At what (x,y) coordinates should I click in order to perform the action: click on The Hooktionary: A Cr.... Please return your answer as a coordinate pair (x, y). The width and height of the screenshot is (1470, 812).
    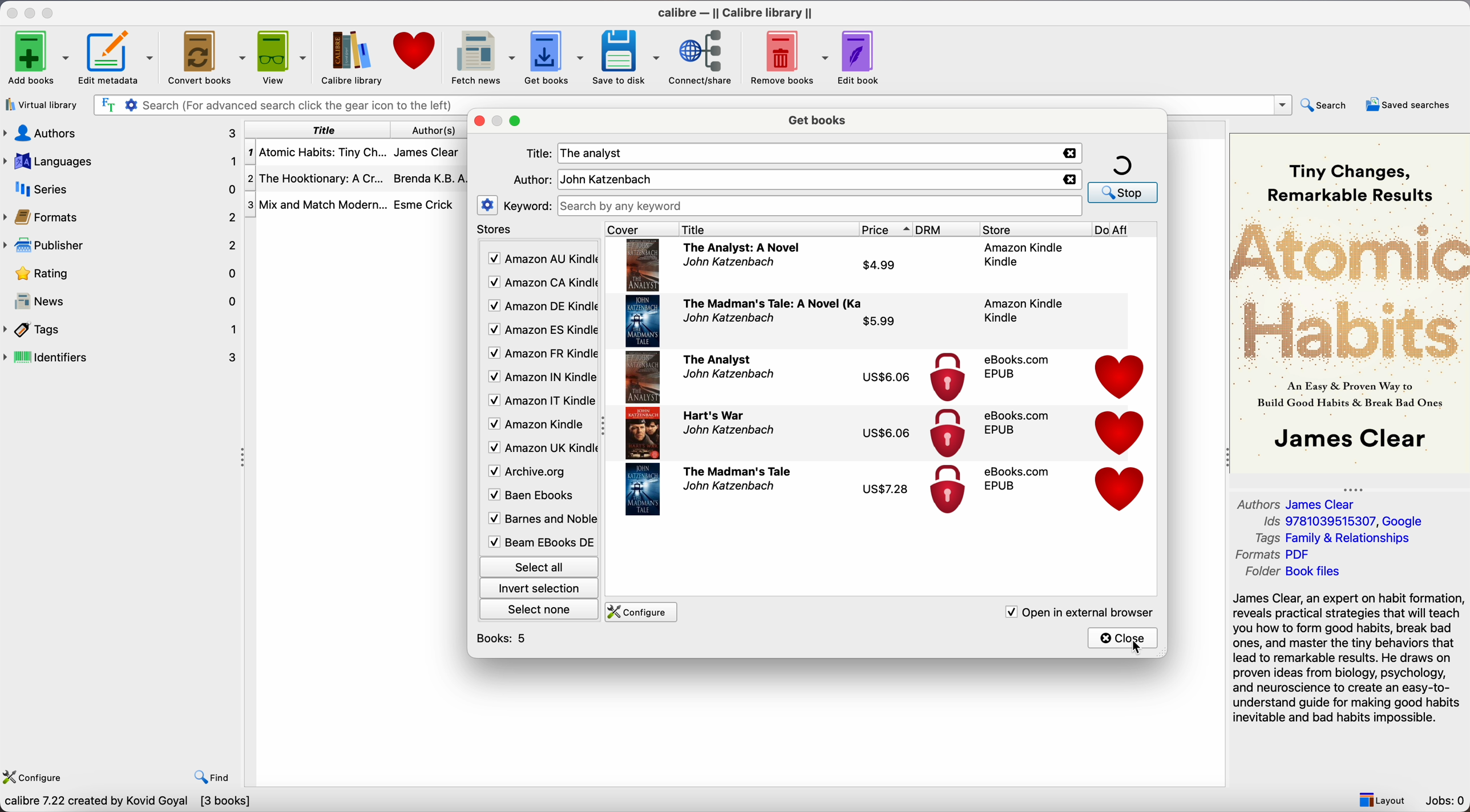
    Looking at the image, I should click on (320, 178).